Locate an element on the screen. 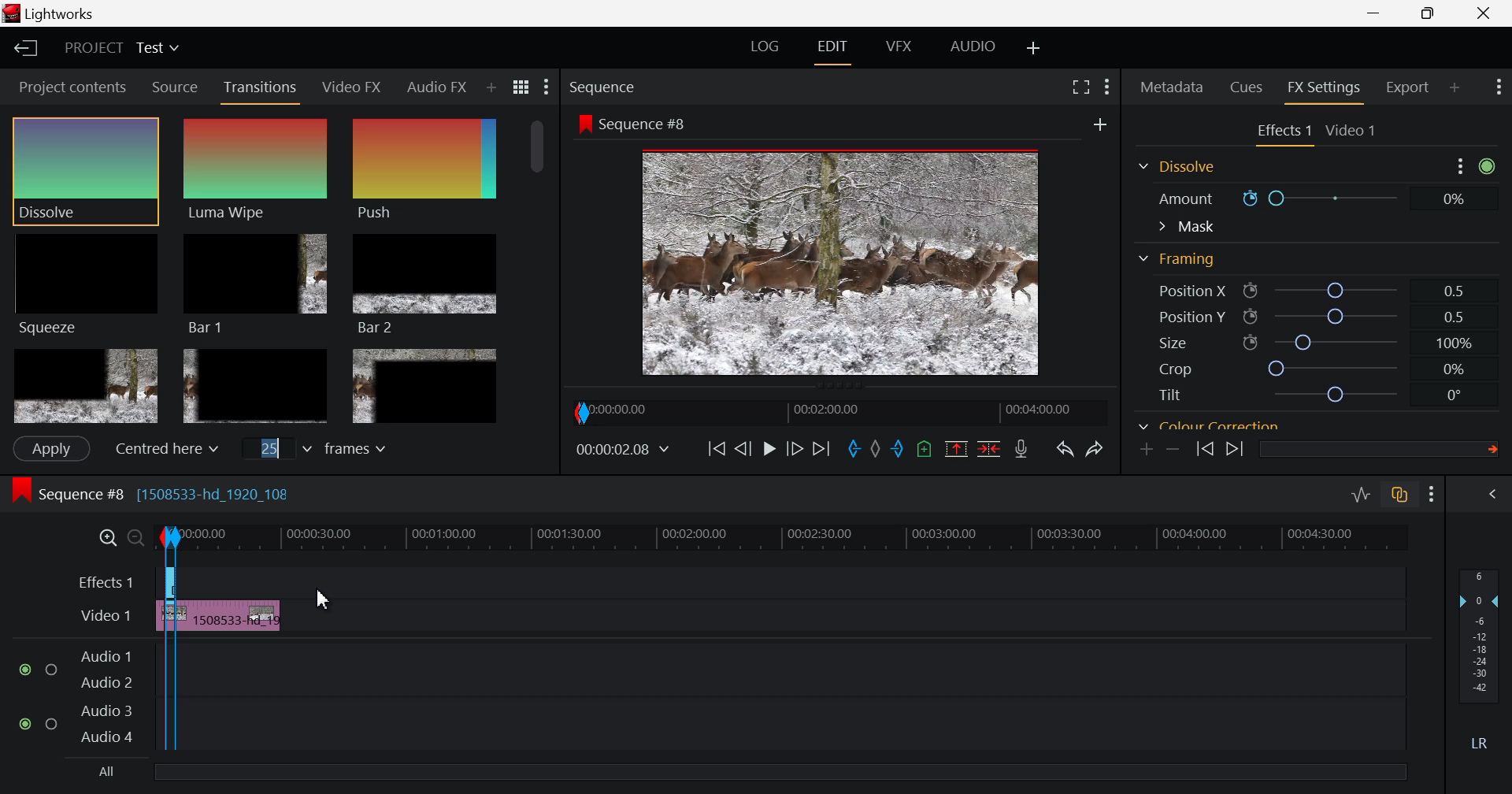  EDIT Tab Open is located at coordinates (836, 46).